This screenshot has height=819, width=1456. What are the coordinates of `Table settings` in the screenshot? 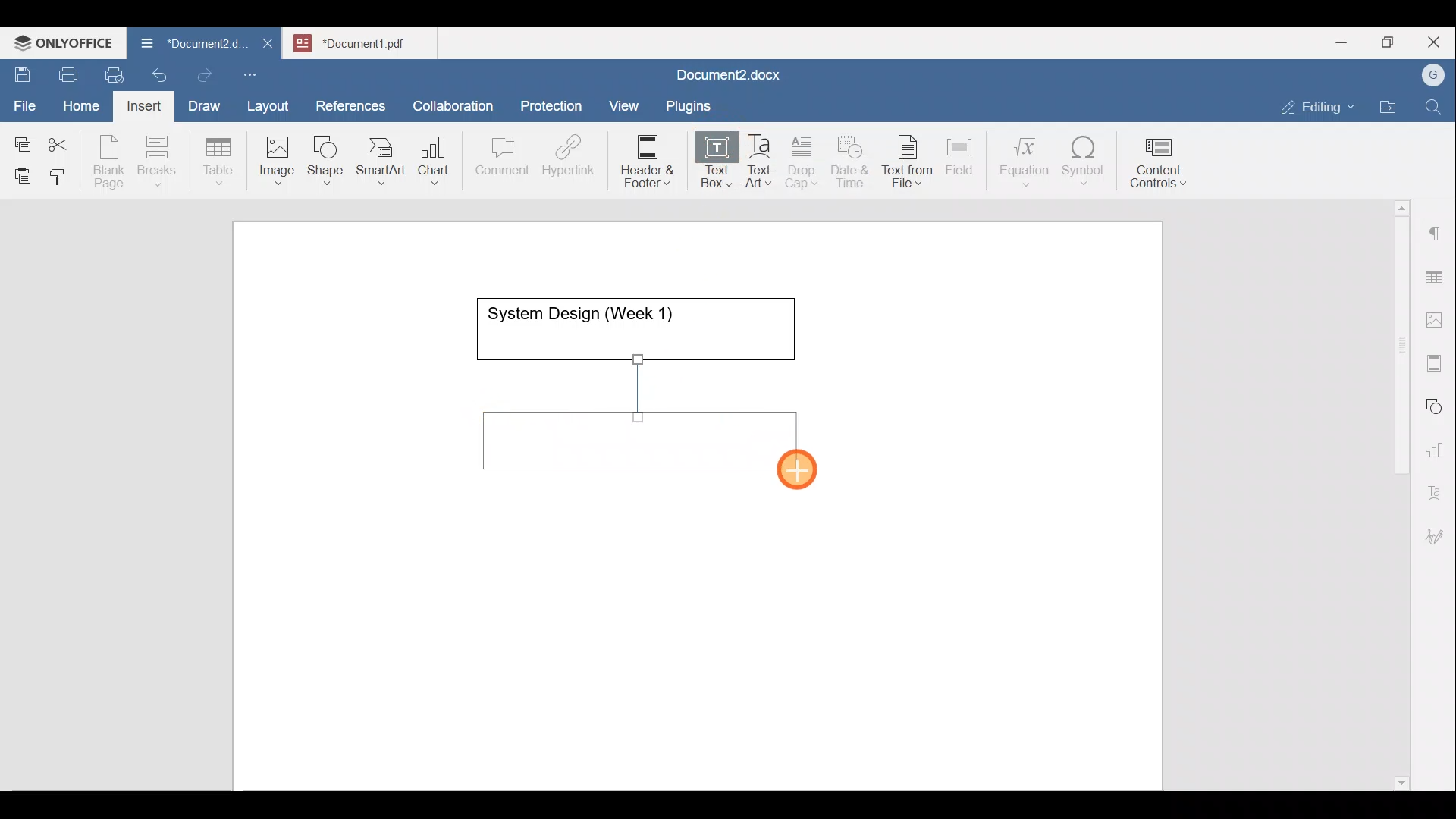 It's located at (1437, 275).